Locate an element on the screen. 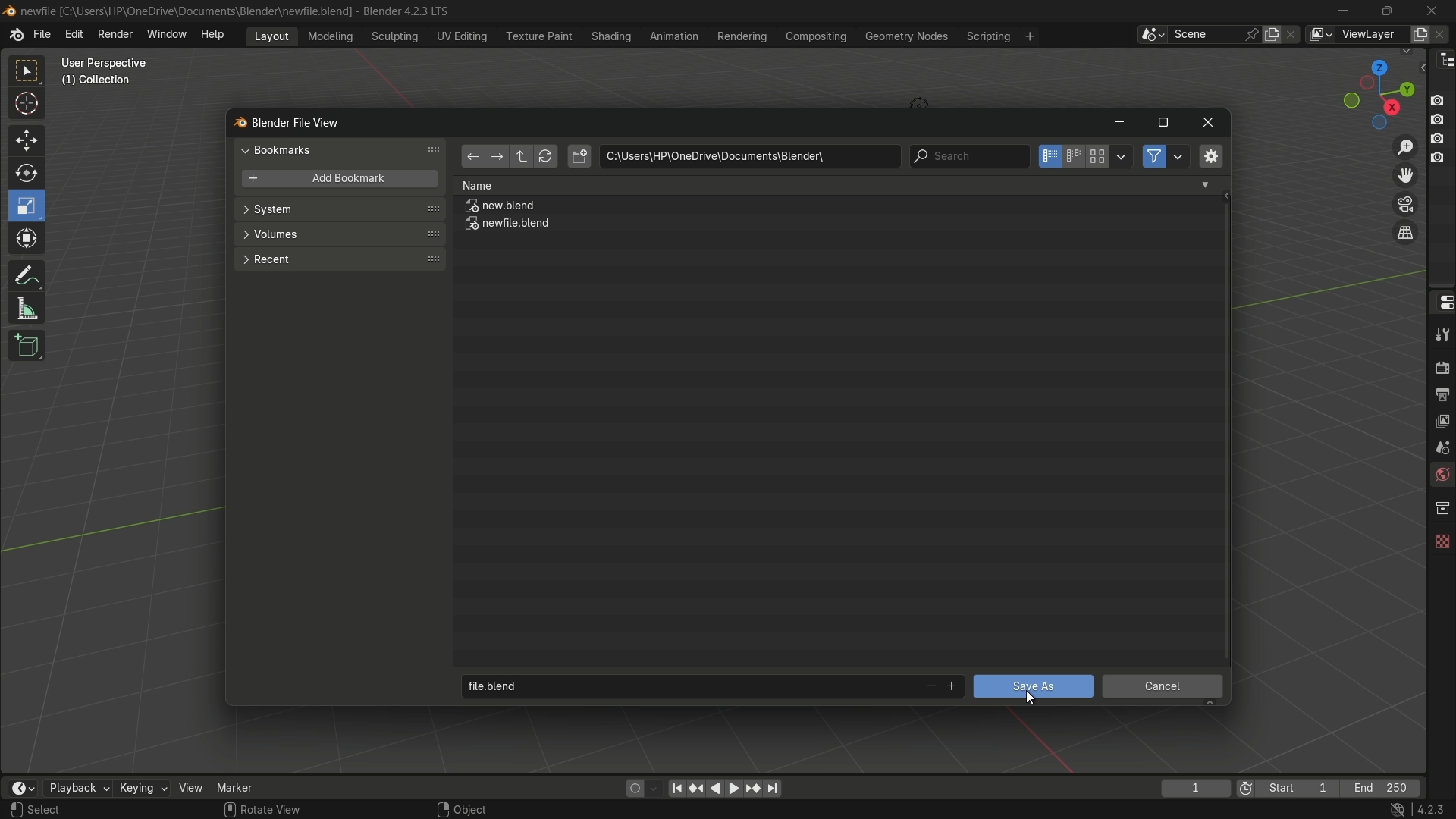 The height and width of the screenshot is (819, 1456). minimize is located at coordinates (1119, 124).